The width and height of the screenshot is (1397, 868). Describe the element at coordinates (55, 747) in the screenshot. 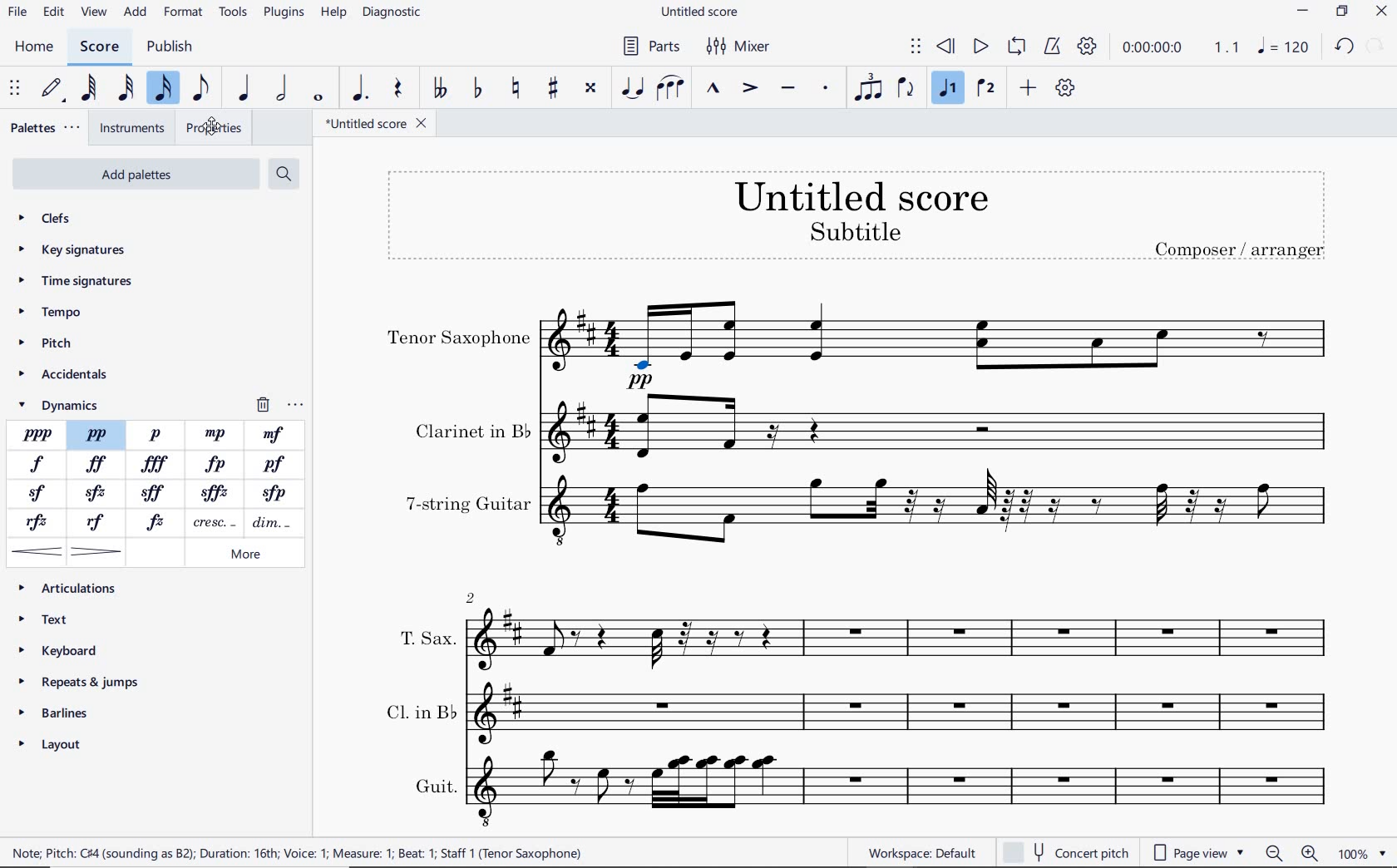

I see `LAYOUT` at that location.